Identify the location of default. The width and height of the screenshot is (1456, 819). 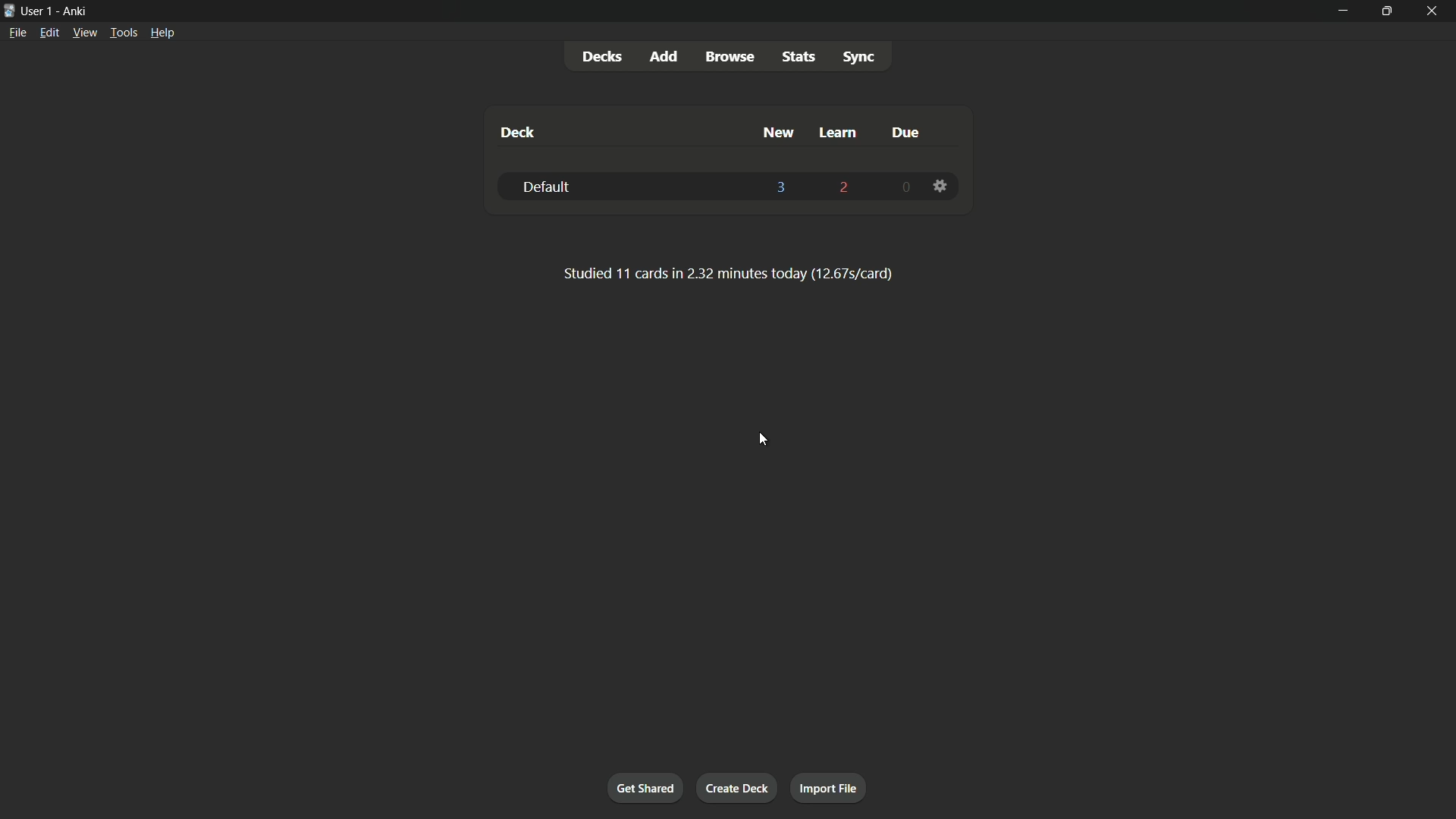
(548, 186).